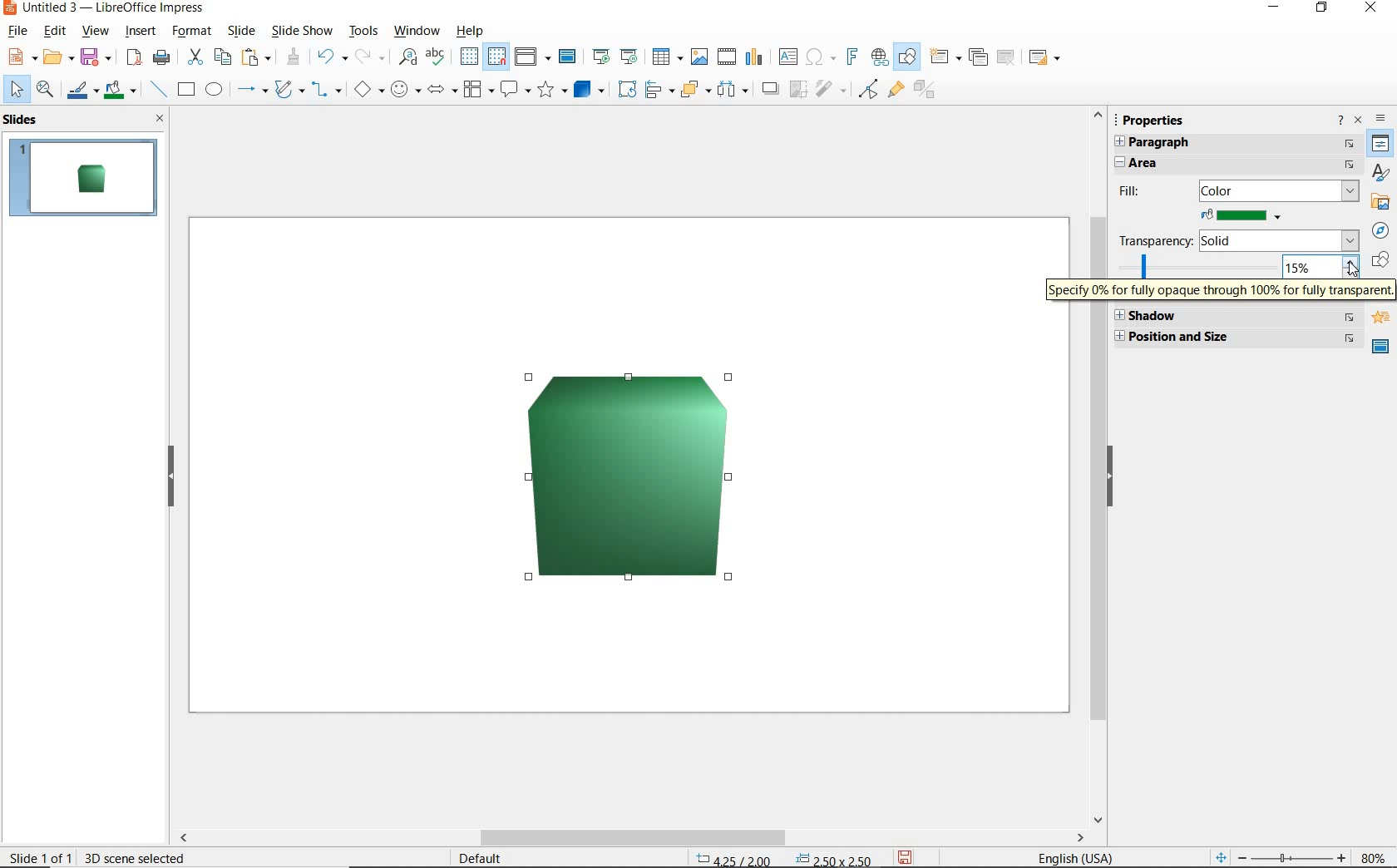  I want to click on ARRANGE, so click(695, 90).